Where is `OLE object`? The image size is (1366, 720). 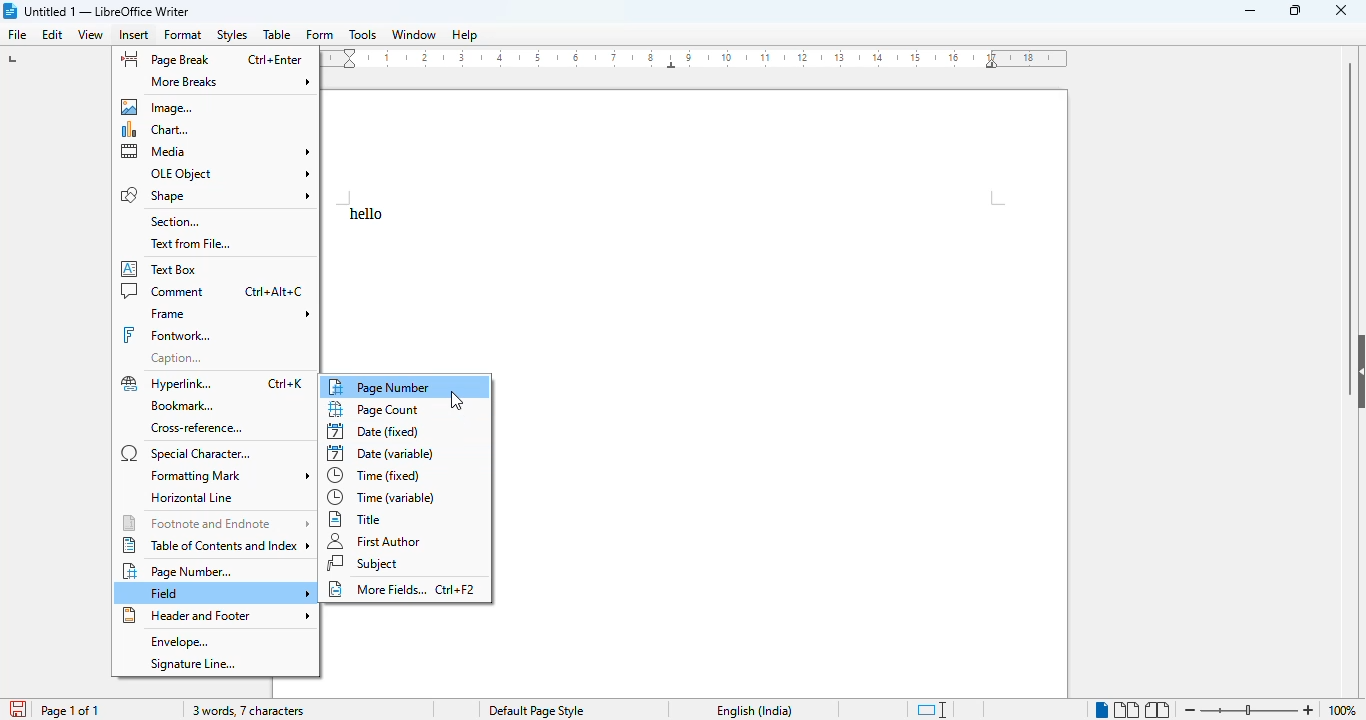
OLE object is located at coordinates (229, 173).